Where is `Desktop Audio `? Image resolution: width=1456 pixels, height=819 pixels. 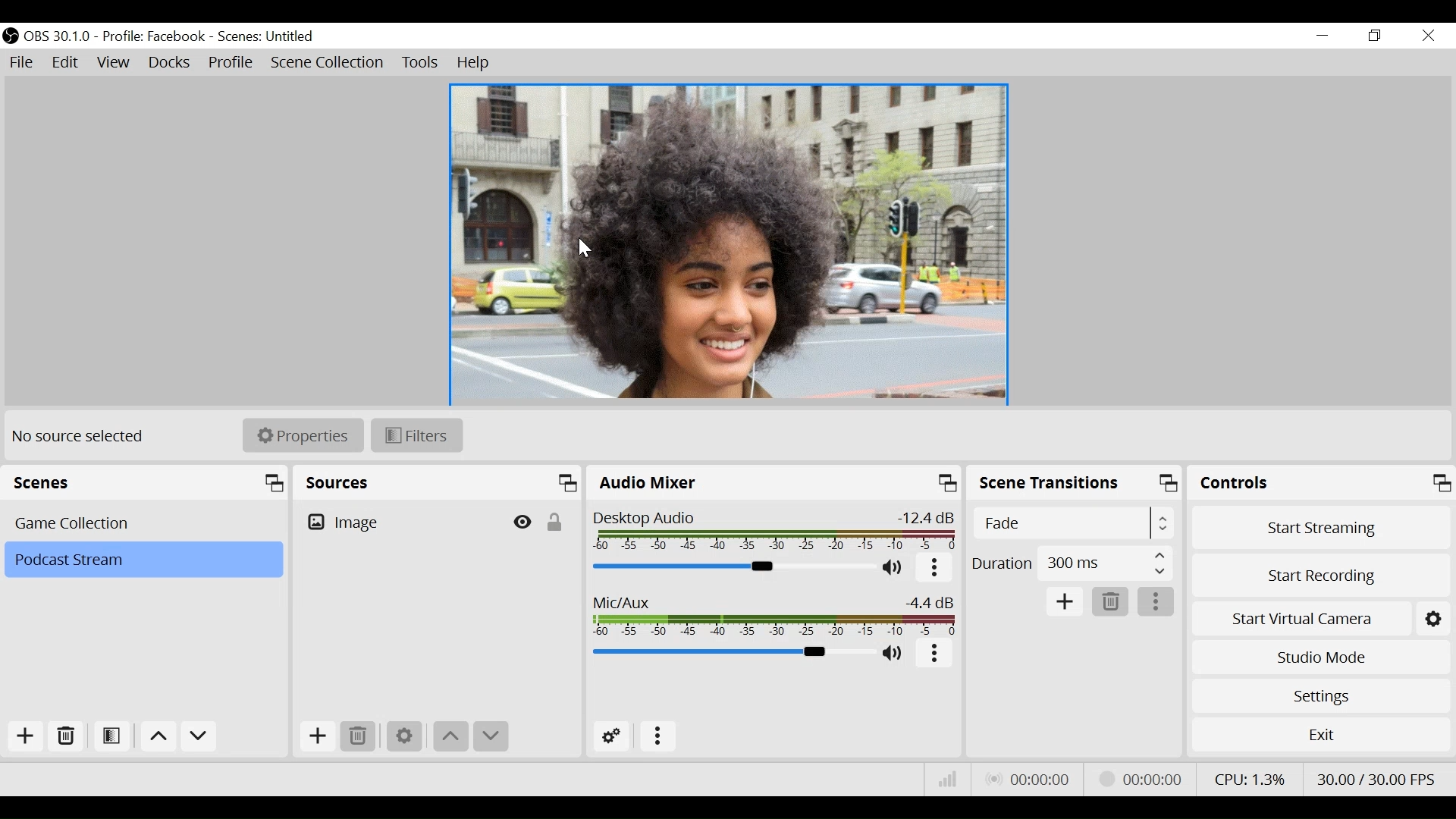
Desktop Audio  is located at coordinates (774, 531).